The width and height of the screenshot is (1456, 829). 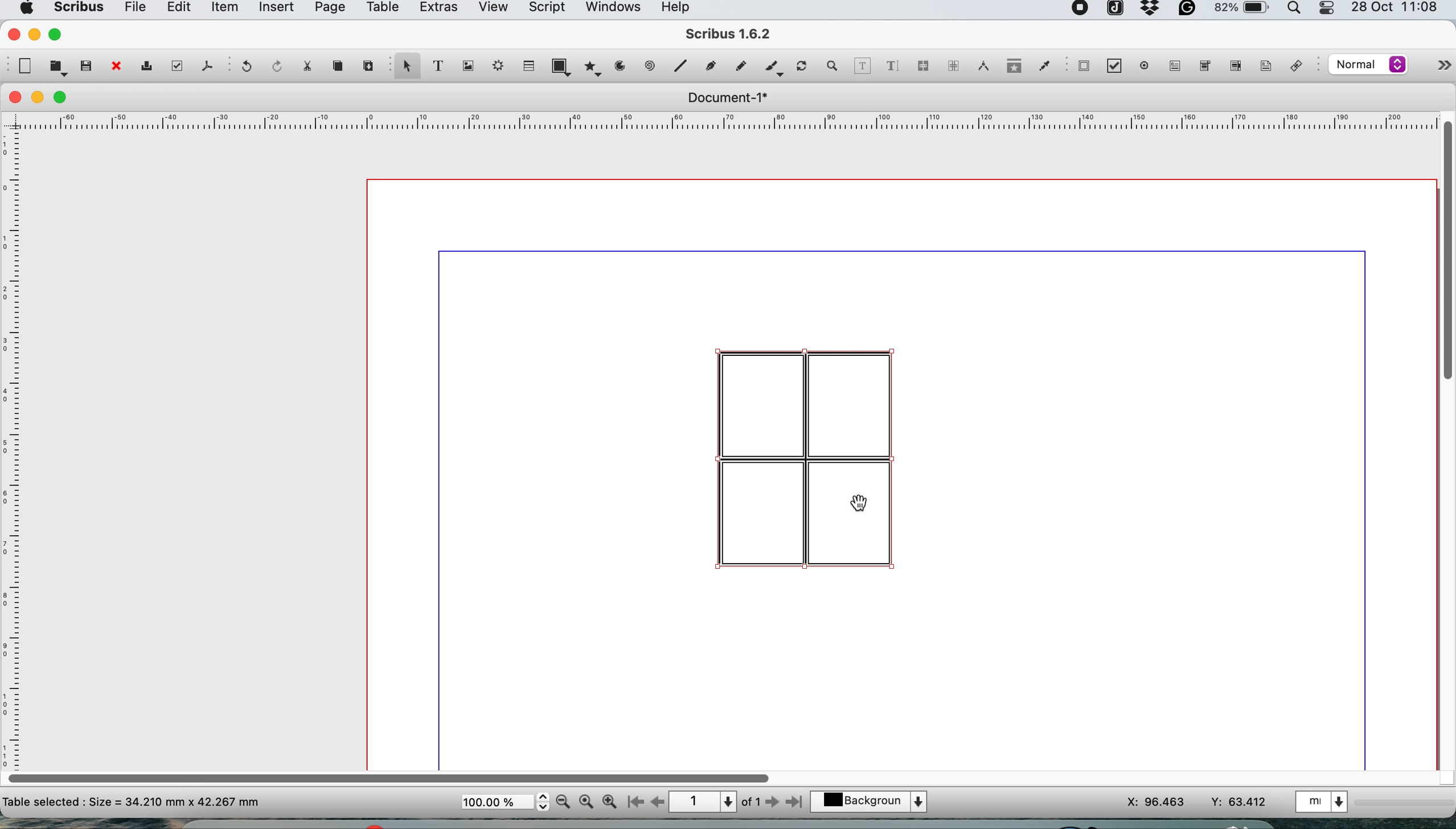 What do you see at coordinates (738, 66) in the screenshot?
I see `freehand line` at bounding box center [738, 66].